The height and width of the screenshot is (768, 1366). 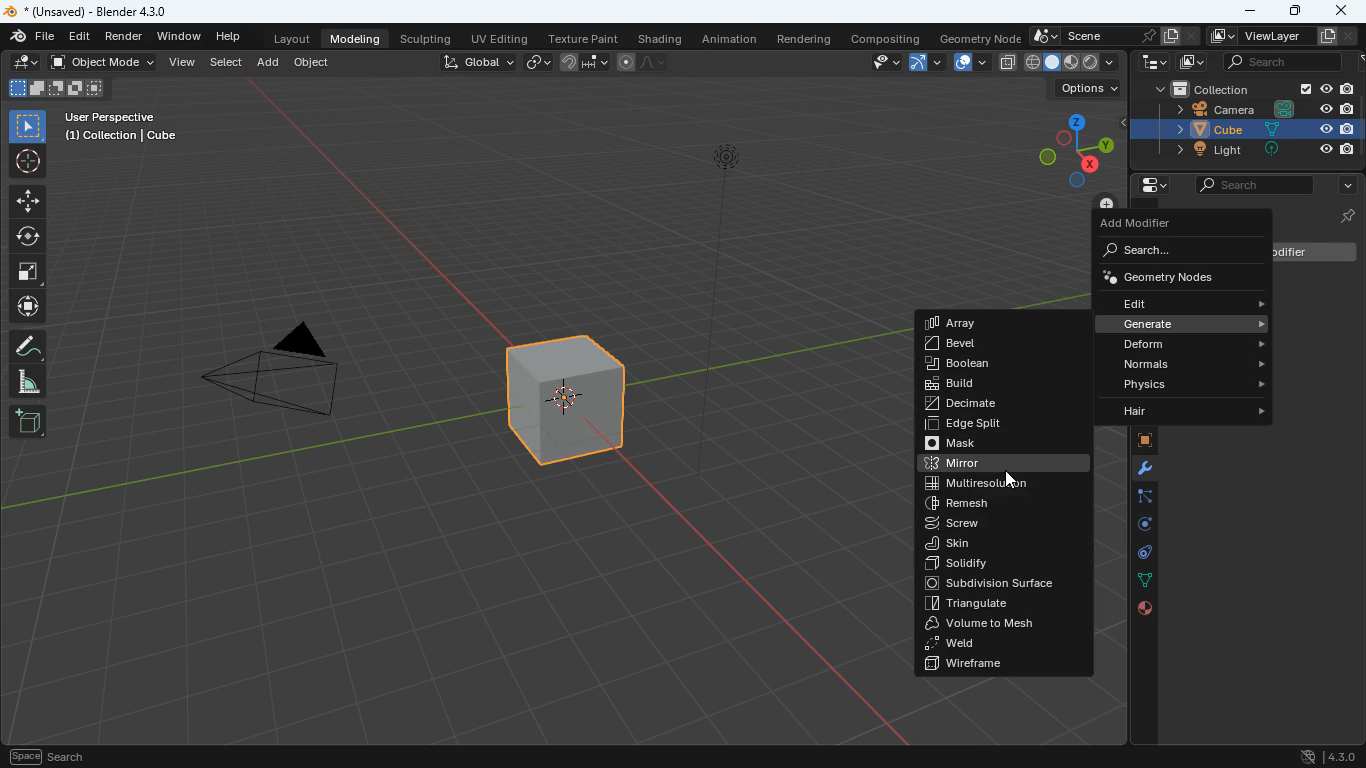 What do you see at coordinates (1001, 444) in the screenshot?
I see `mask` at bounding box center [1001, 444].